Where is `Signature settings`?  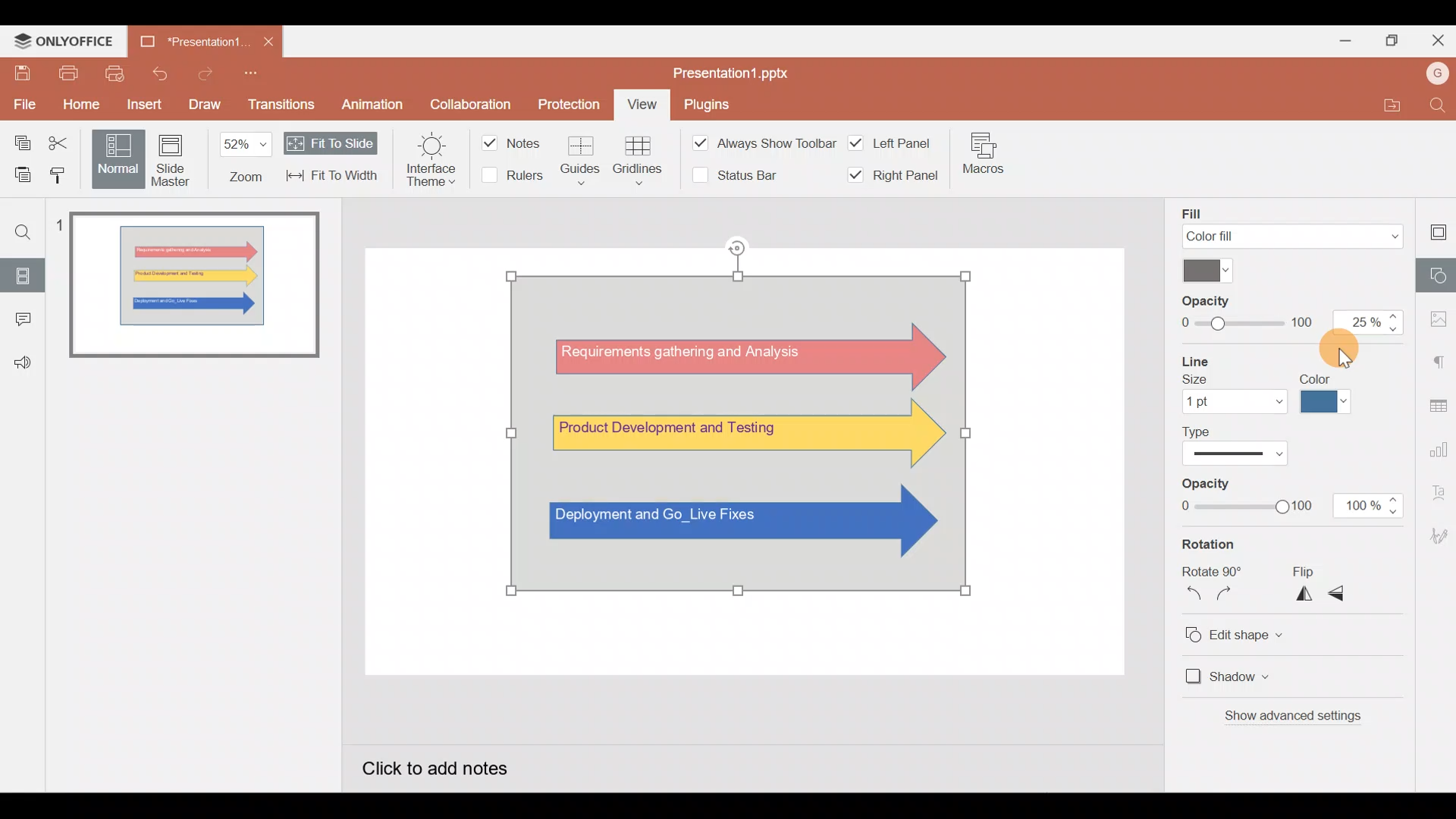 Signature settings is located at coordinates (1437, 535).